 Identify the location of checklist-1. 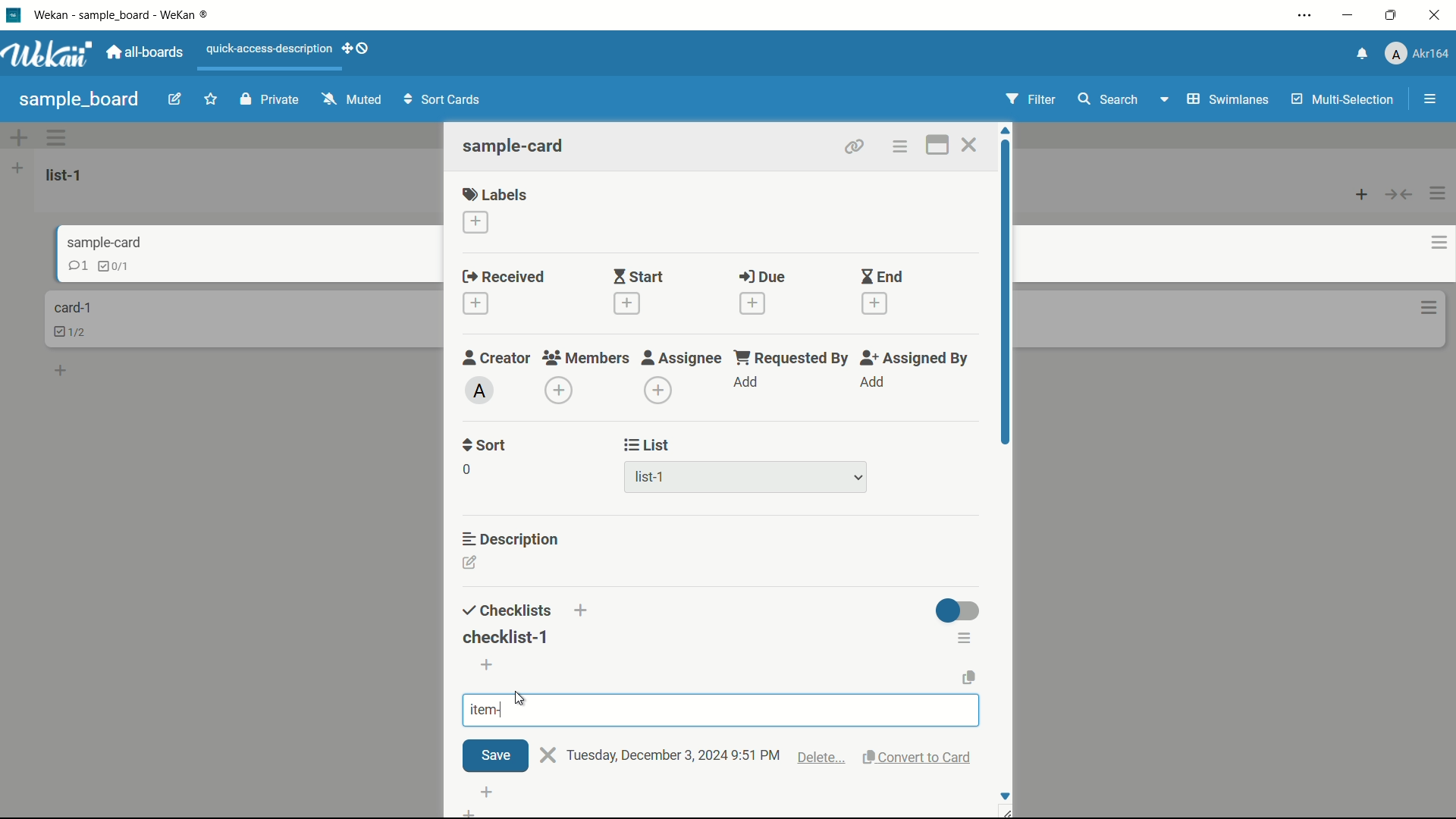
(506, 637).